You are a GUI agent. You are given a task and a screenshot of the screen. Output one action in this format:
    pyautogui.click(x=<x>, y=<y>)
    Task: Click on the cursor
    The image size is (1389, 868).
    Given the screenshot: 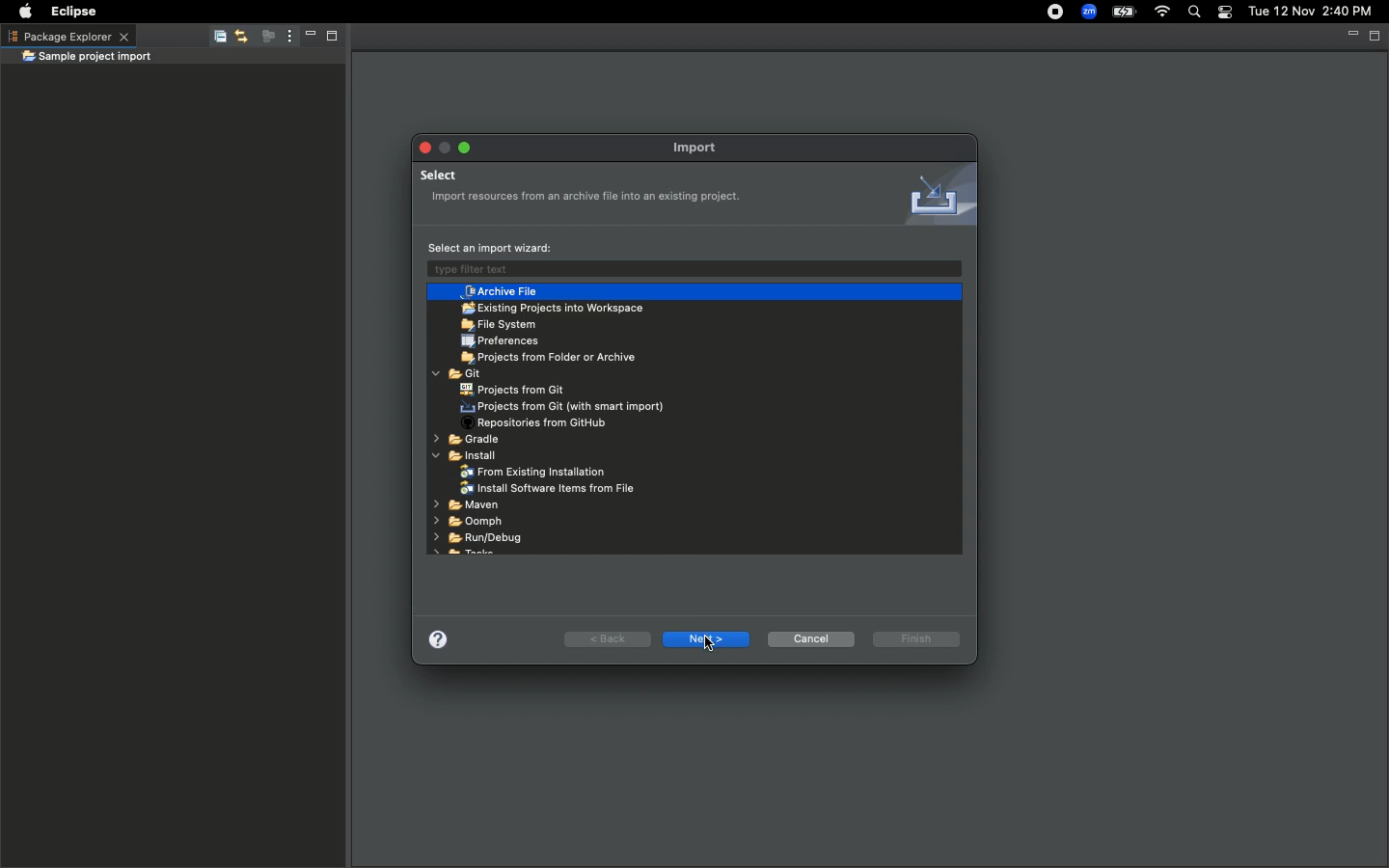 What is the action you would take?
    pyautogui.click(x=453, y=305)
    